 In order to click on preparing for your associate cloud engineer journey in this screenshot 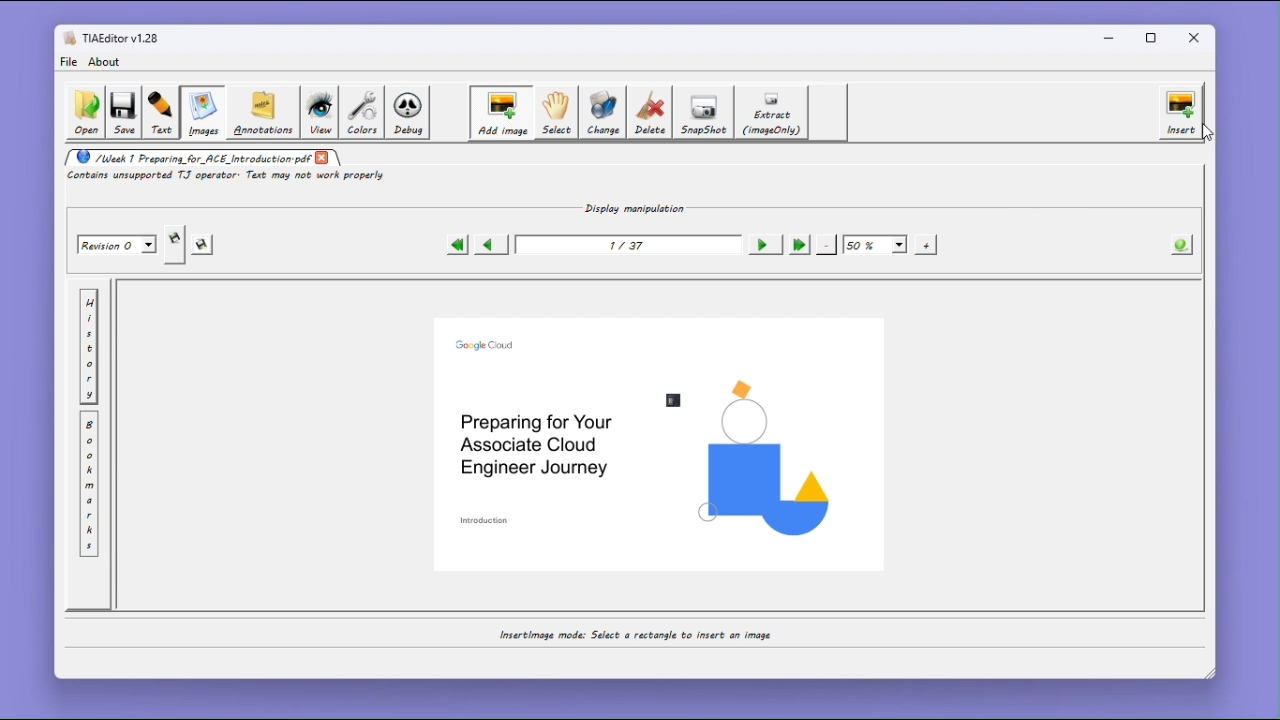, I will do `click(535, 445)`.